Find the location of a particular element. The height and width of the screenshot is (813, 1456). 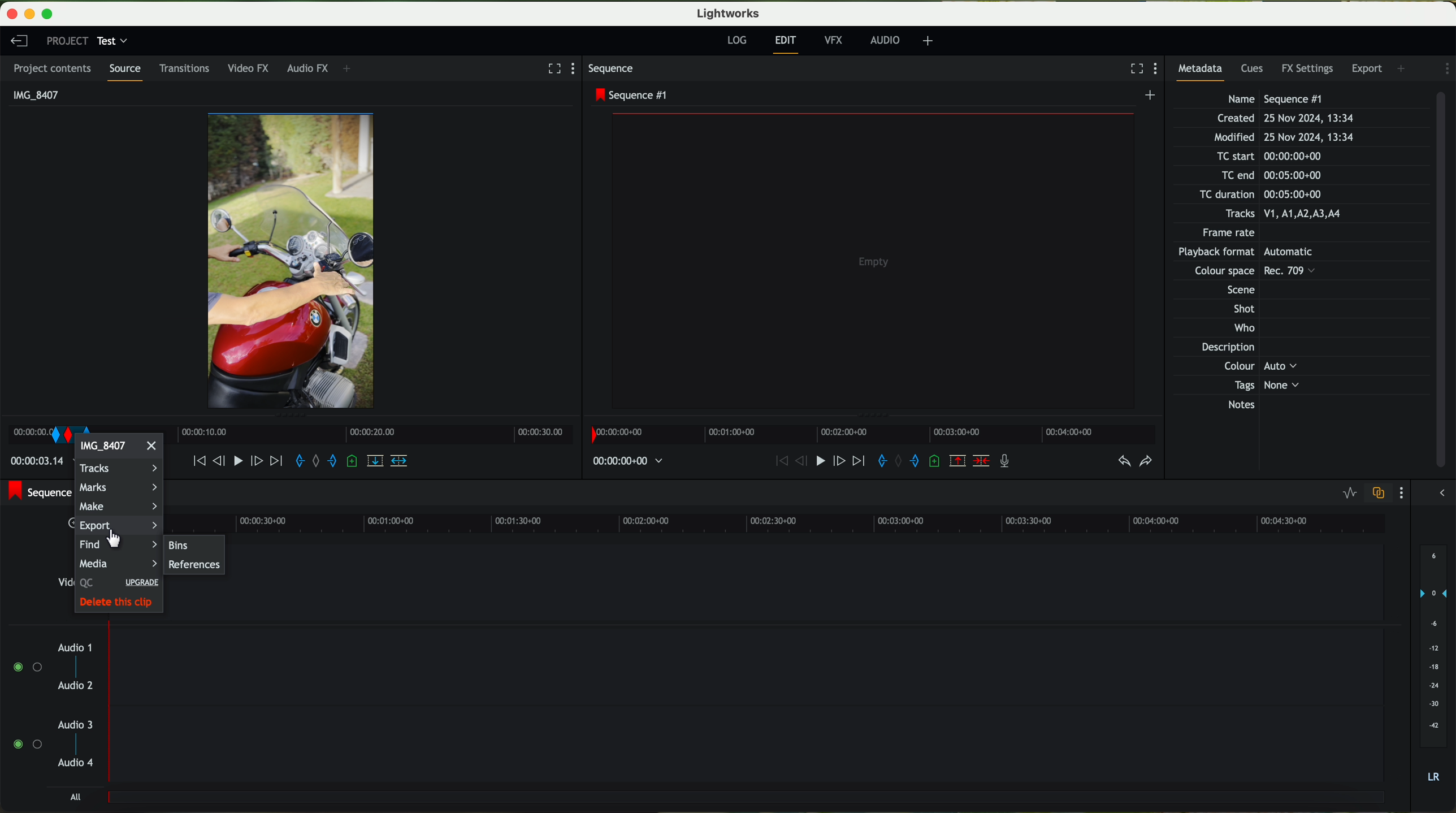

 is located at coordinates (1242, 273).